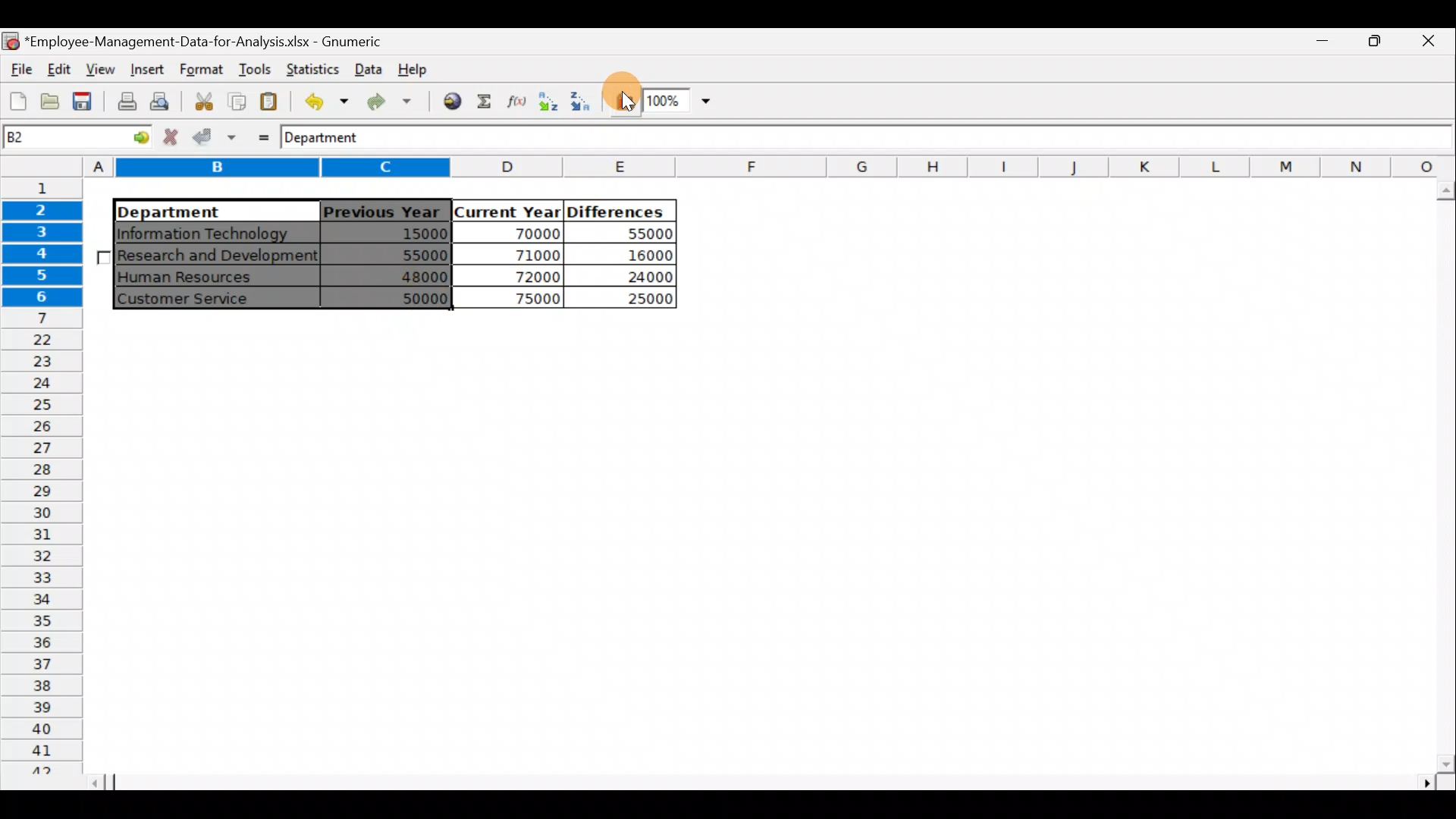 The width and height of the screenshot is (1456, 819). I want to click on Employee-Management-Data-for-Analysis.xlsx - Gnumeric, so click(214, 40).